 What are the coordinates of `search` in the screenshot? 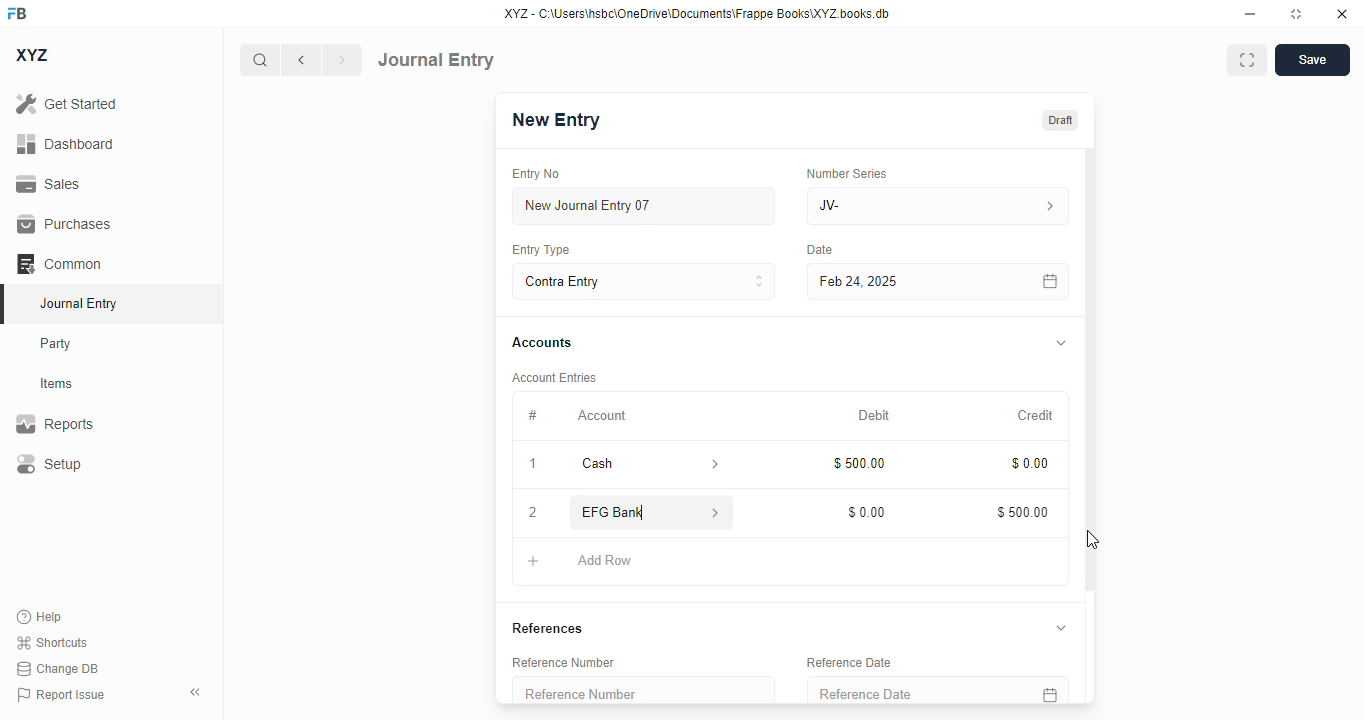 It's located at (259, 60).